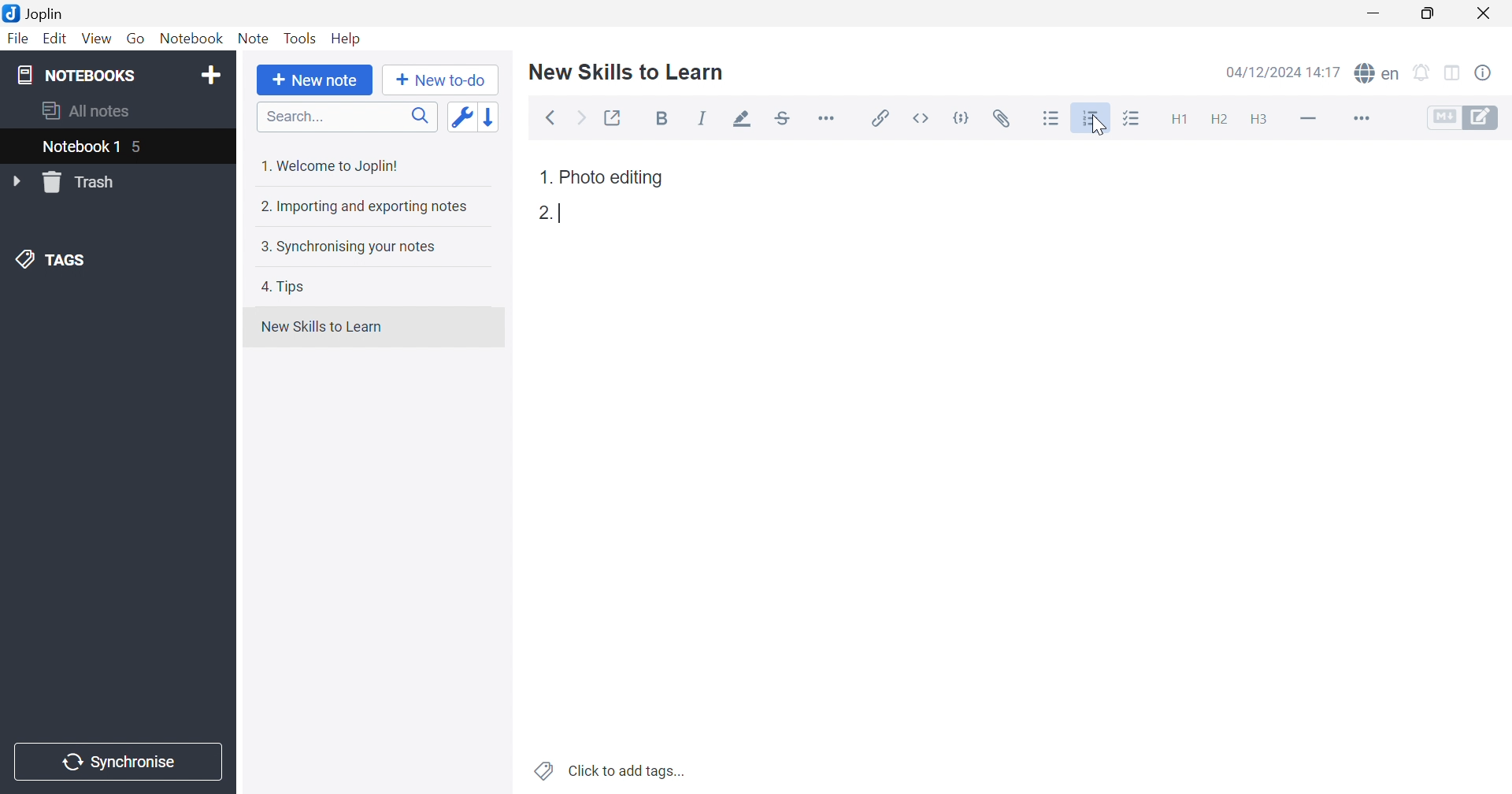  I want to click on 4. Tips, so click(283, 287).